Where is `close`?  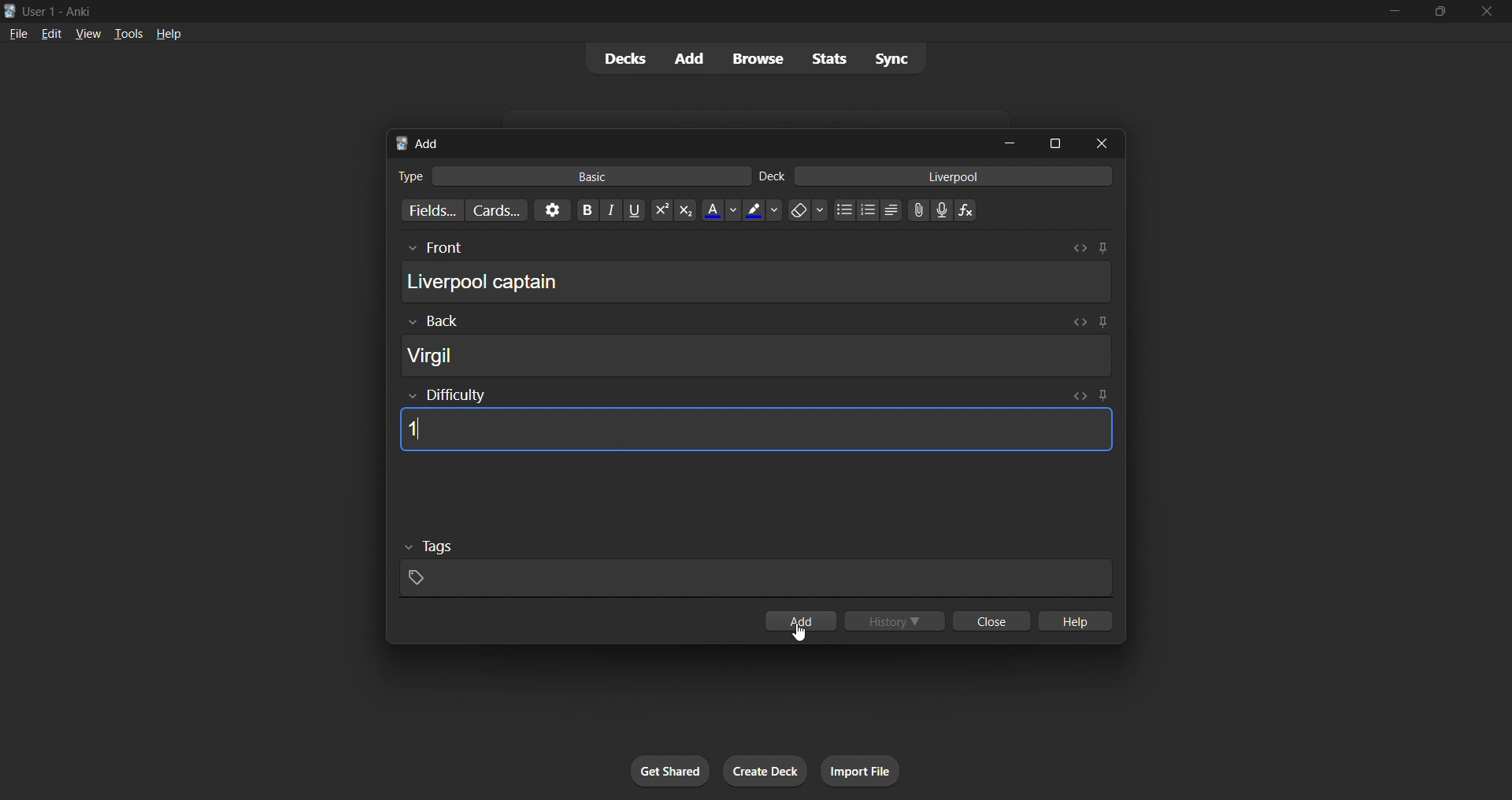 close is located at coordinates (991, 620).